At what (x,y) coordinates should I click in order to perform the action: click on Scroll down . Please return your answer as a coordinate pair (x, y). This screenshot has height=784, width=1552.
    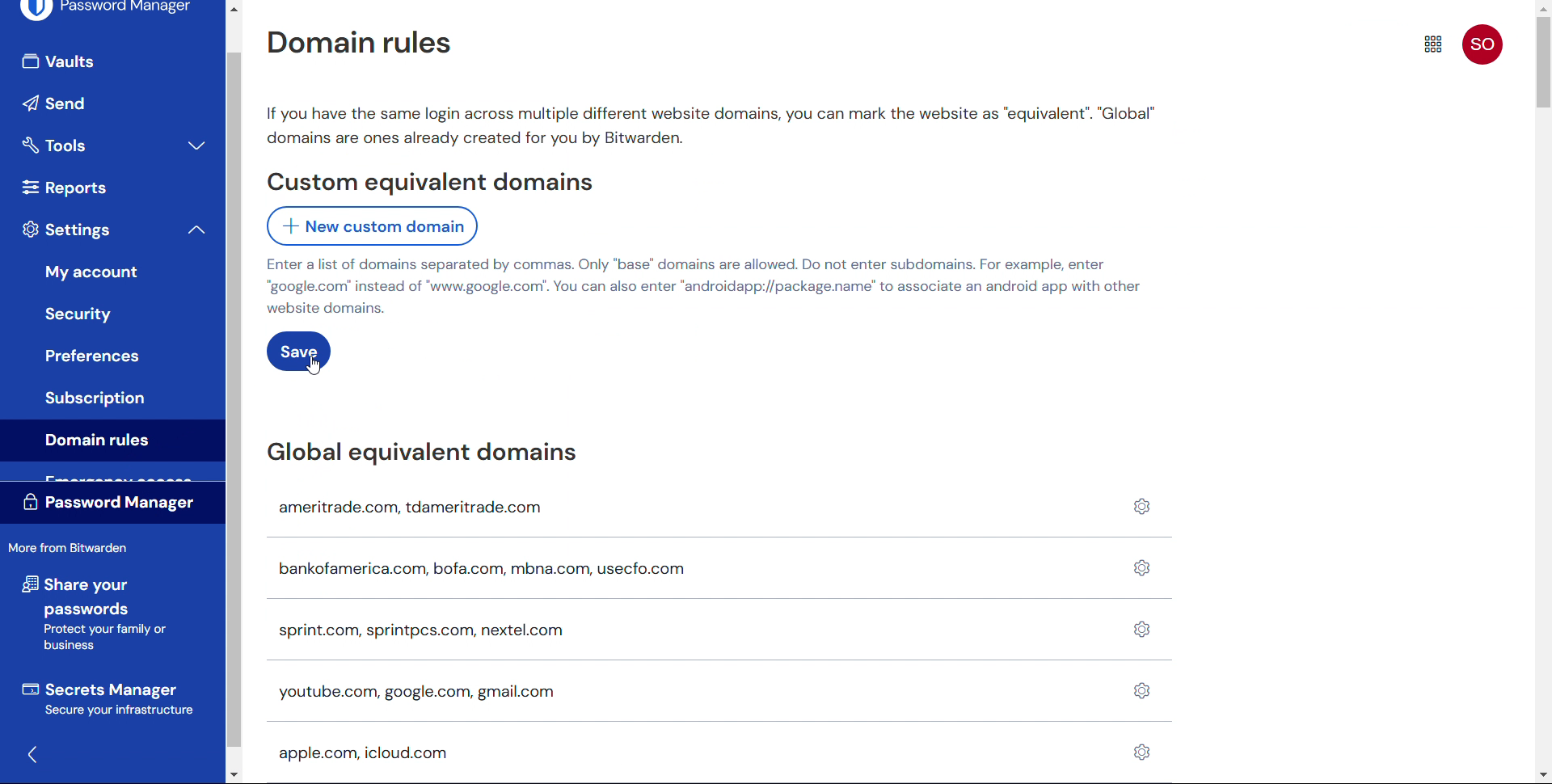
    Looking at the image, I should click on (1542, 776).